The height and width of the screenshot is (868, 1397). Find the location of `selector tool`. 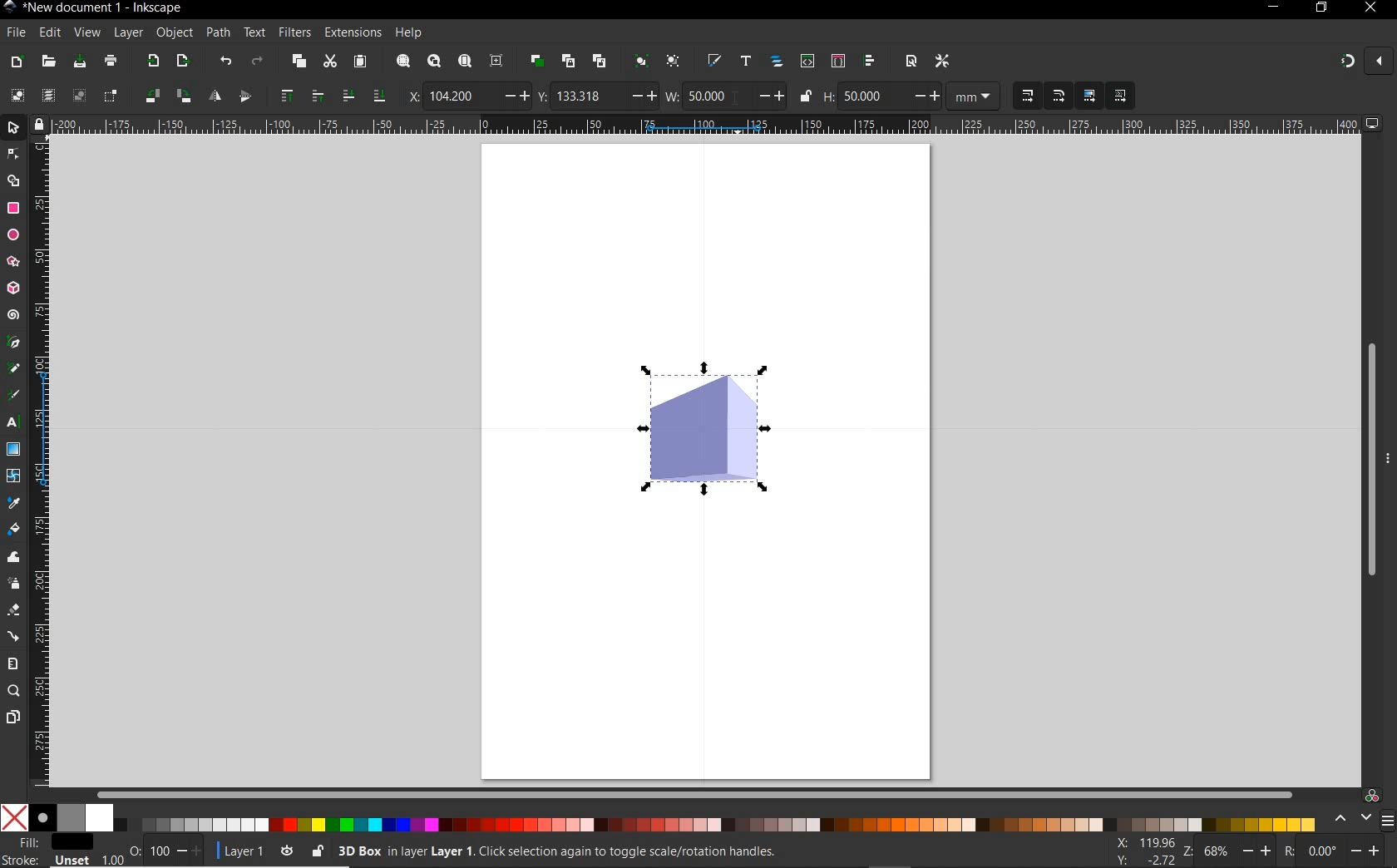

selector tool is located at coordinates (14, 128).